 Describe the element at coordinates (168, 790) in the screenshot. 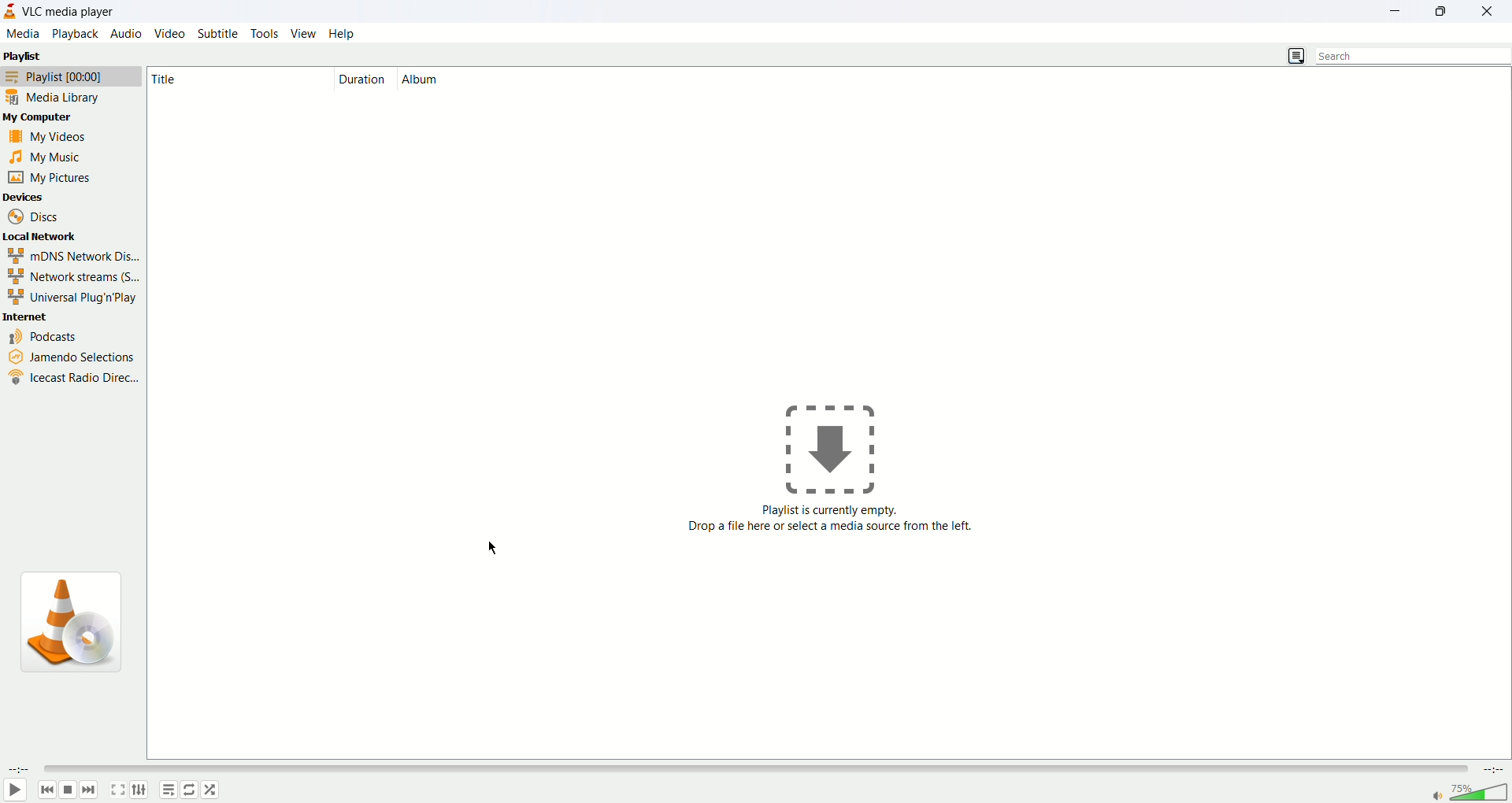

I see `playlist` at that location.